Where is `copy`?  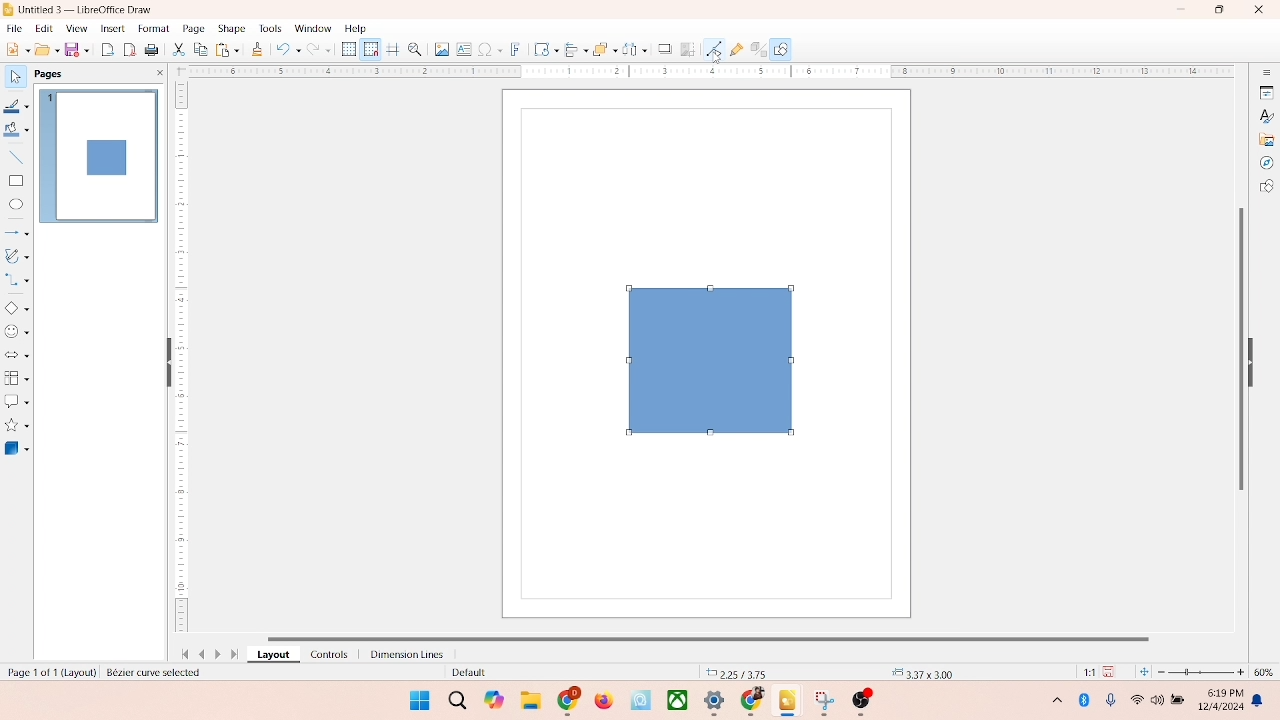 copy is located at coordinates (200, 51).